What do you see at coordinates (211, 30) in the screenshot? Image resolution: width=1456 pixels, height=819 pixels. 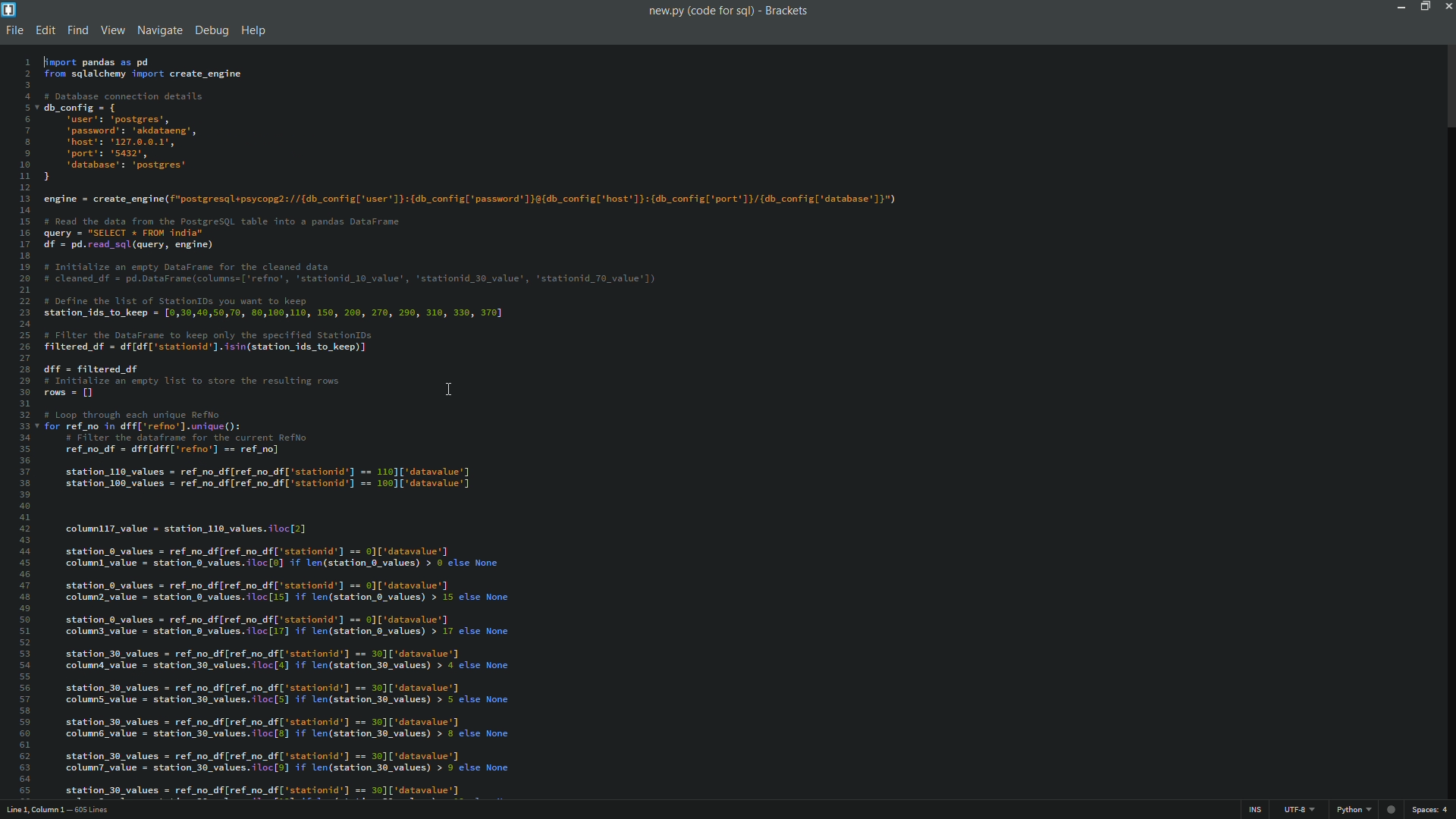 I see `debug menu` at bounding box center [211, 30].